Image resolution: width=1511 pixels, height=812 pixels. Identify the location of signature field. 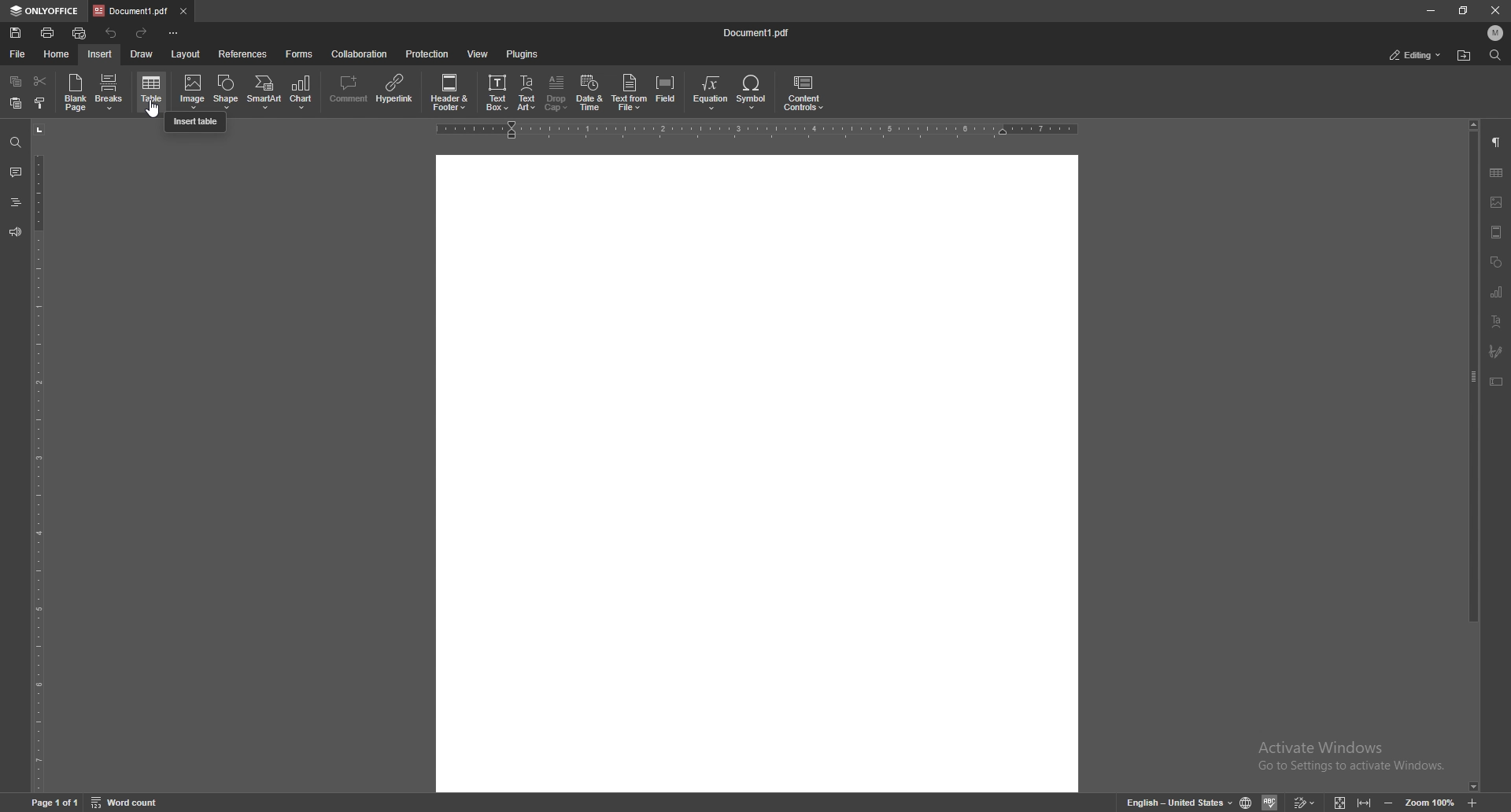
(1498, 351).